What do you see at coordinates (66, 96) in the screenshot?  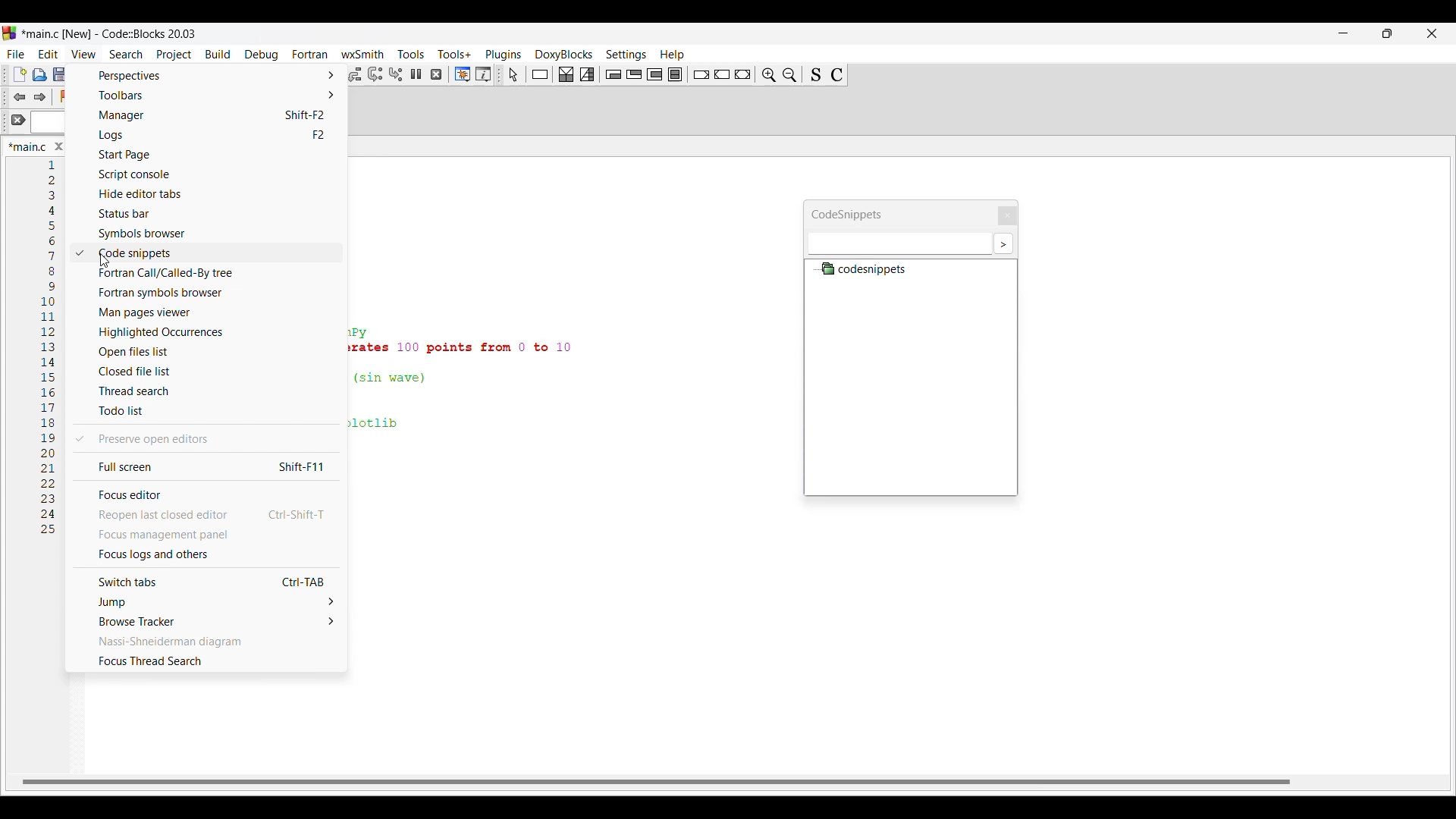 I see `Toggle bookmark` at bounding box center [66, 96].